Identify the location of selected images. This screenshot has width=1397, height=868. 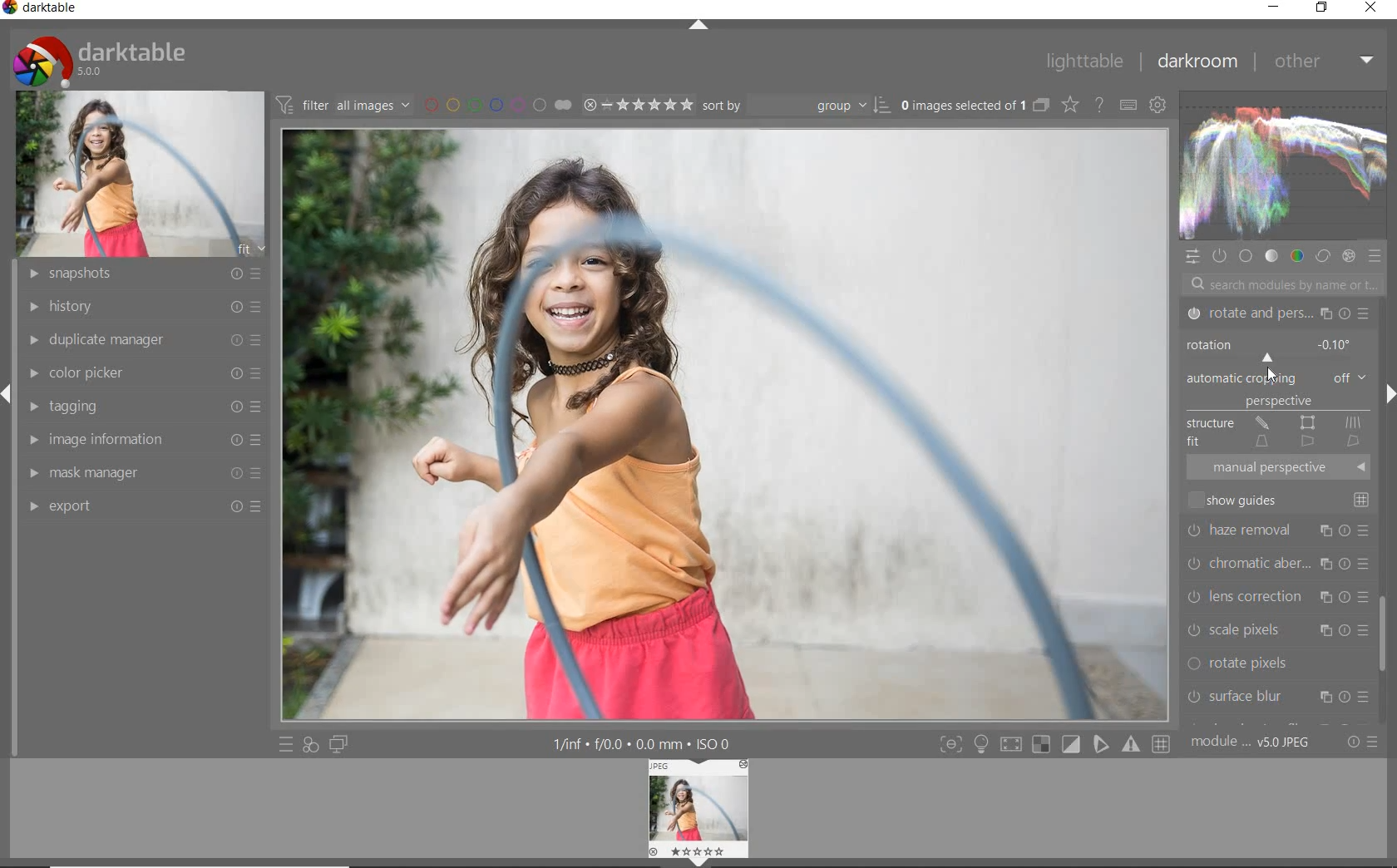
(964, 106).